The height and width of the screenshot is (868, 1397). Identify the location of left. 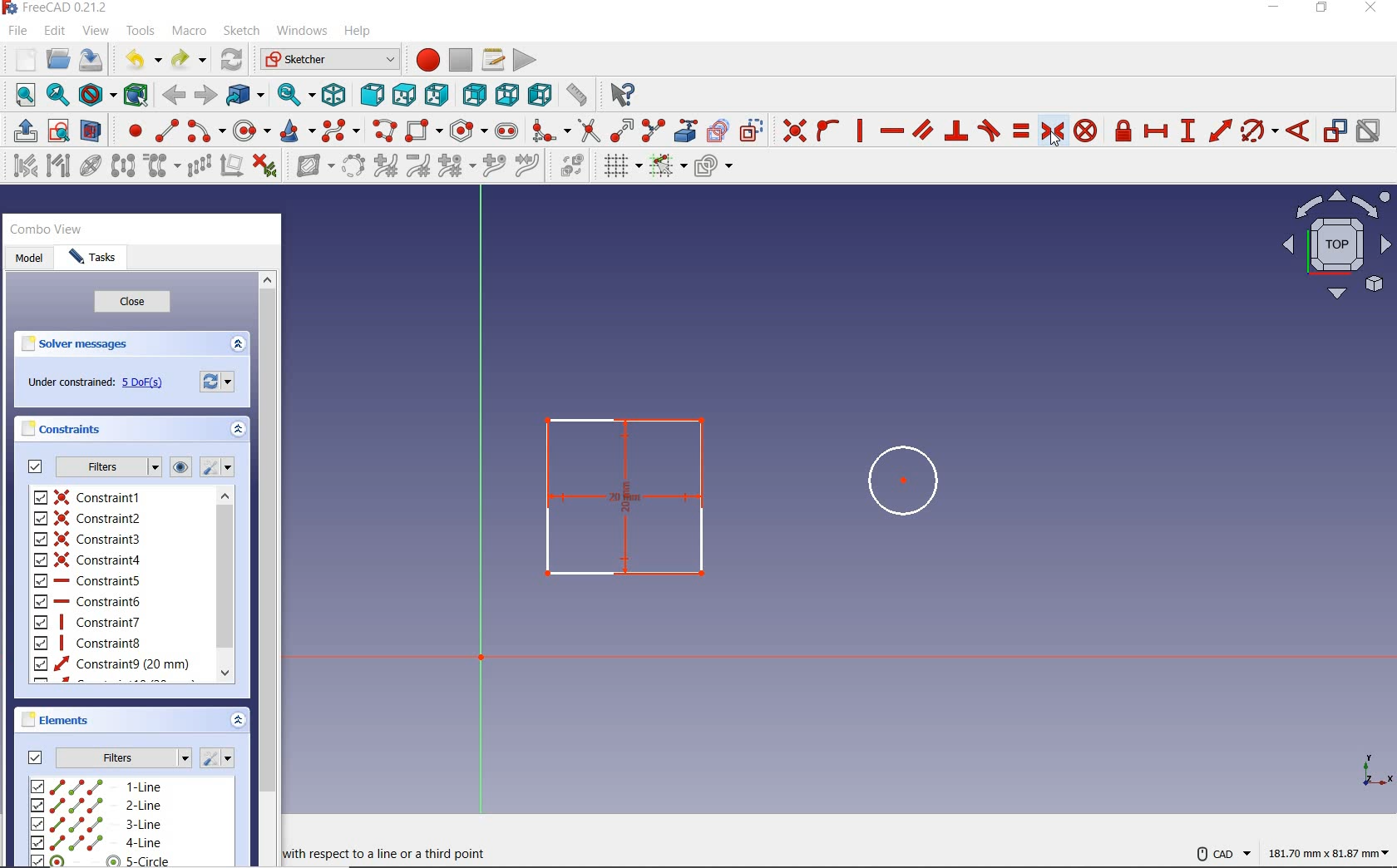
(540, 94).